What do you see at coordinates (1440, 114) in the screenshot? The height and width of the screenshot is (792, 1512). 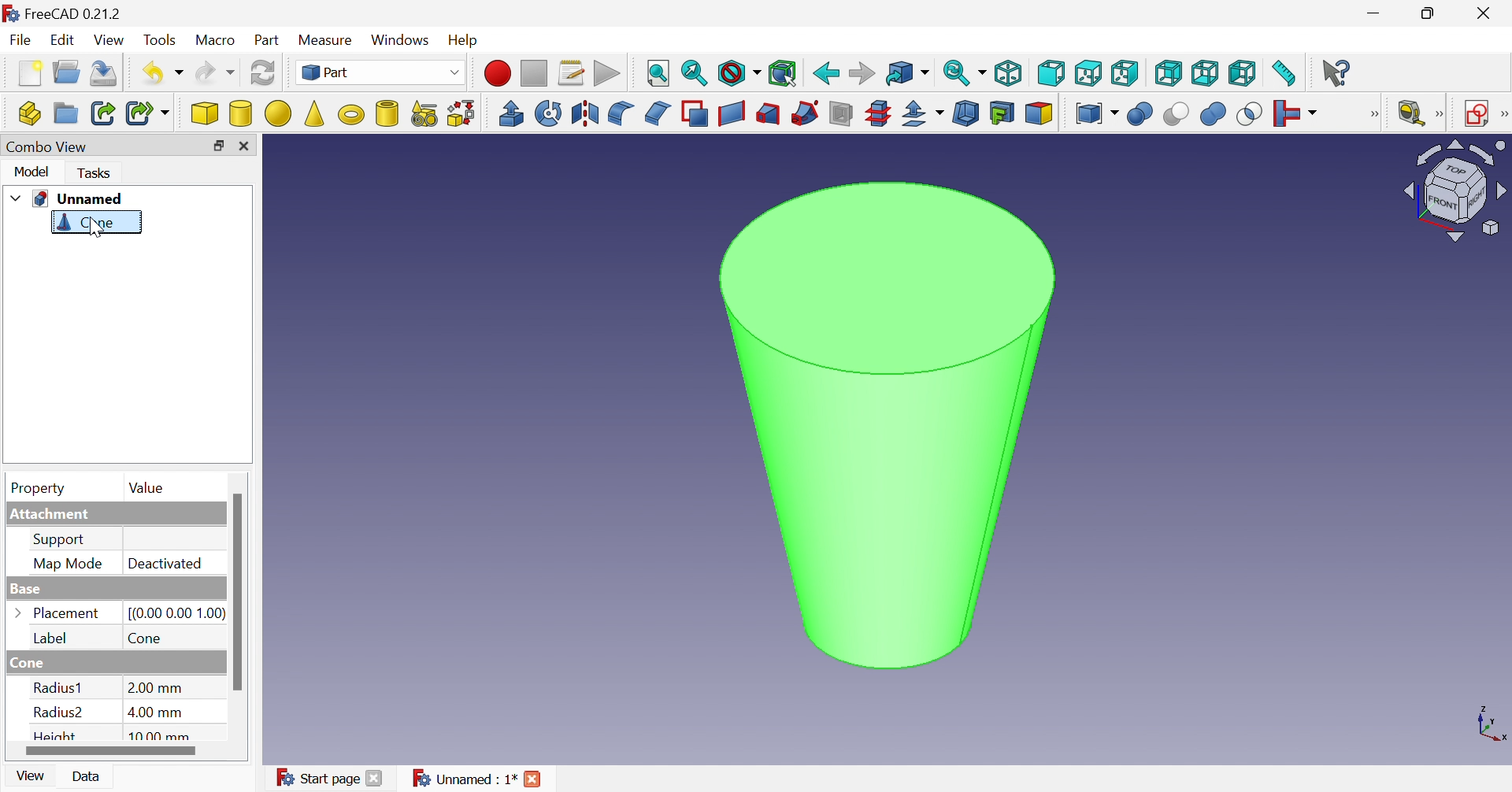 I see `[Measure]` at bounding box center [1440, 114].